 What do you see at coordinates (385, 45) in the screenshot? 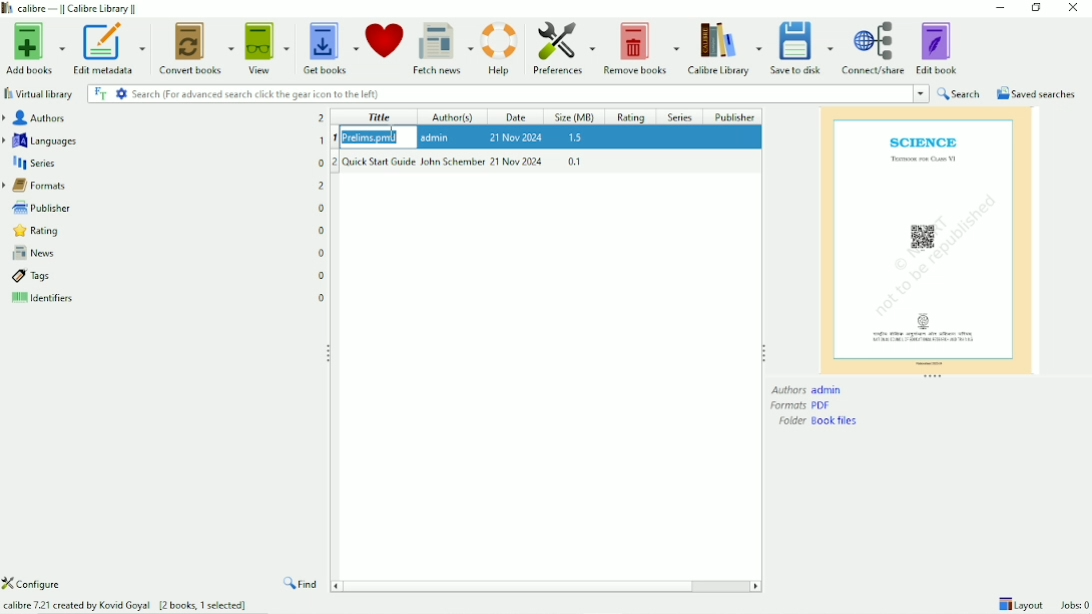
I see `Donate` at bounding box center [385, 45].